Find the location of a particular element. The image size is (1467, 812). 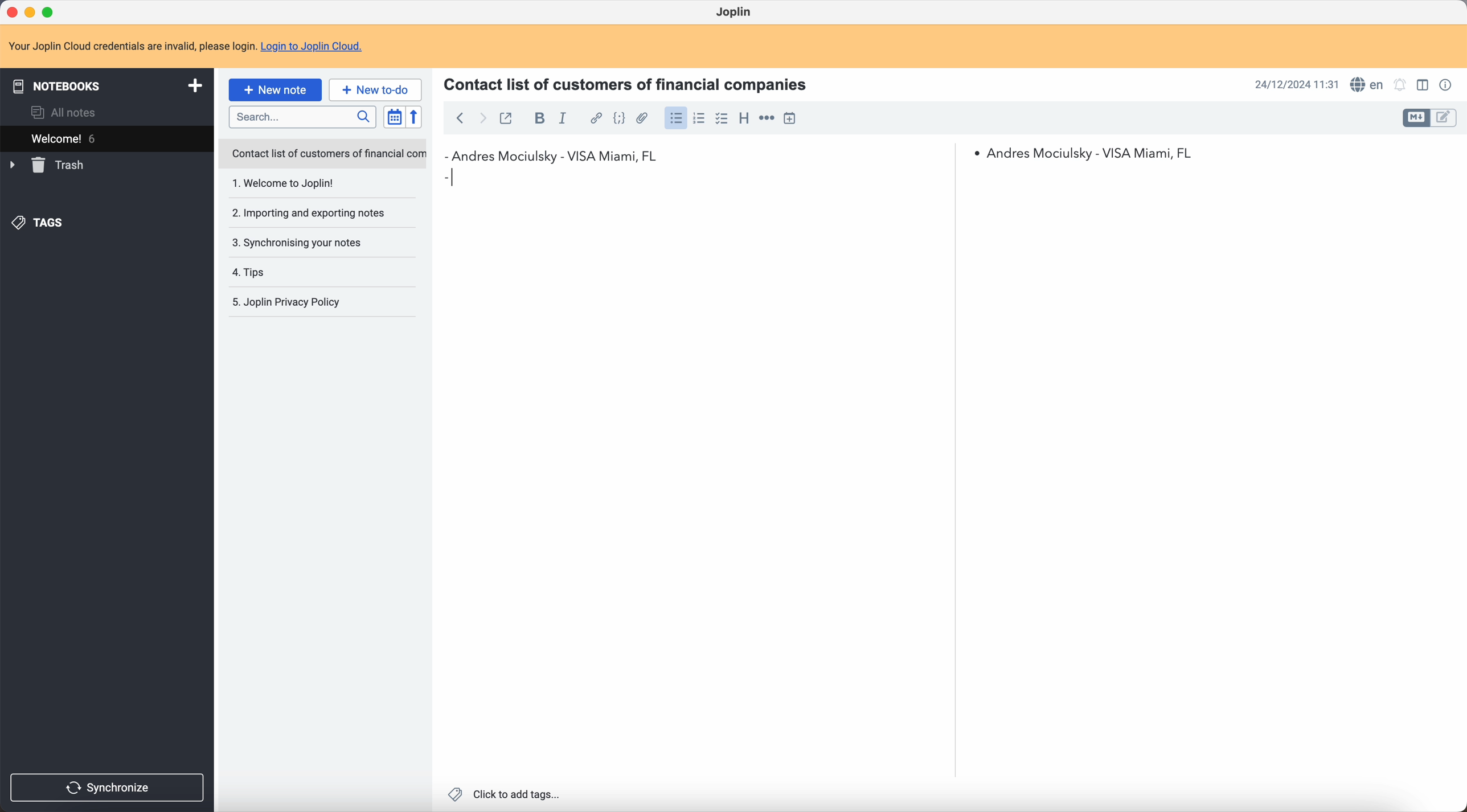

minimize is located at coordinates (30, 11).